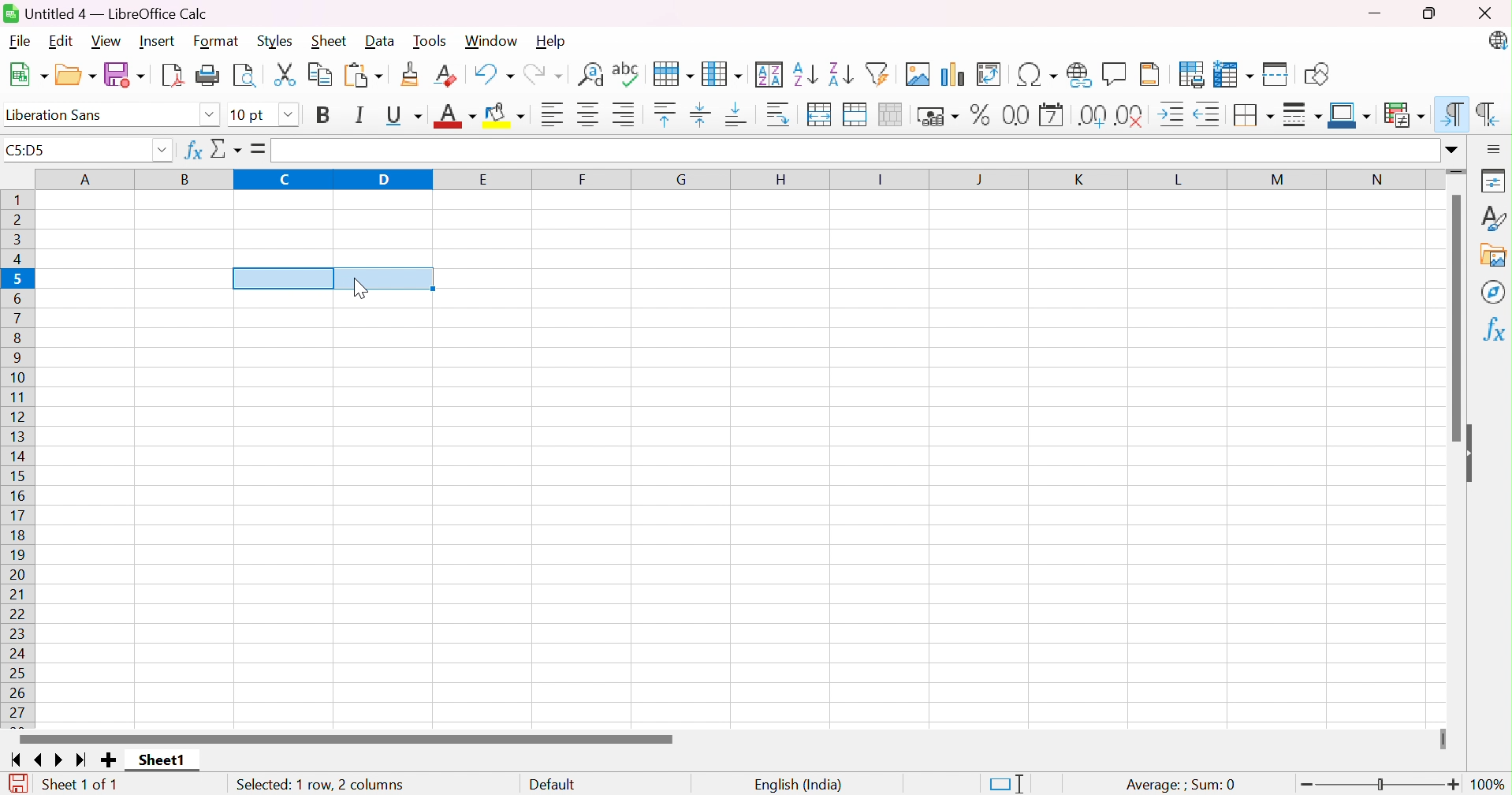 This screenshot has width=1512, height=795. I want to click on Clear Direct Formatting, so click(448, 74).